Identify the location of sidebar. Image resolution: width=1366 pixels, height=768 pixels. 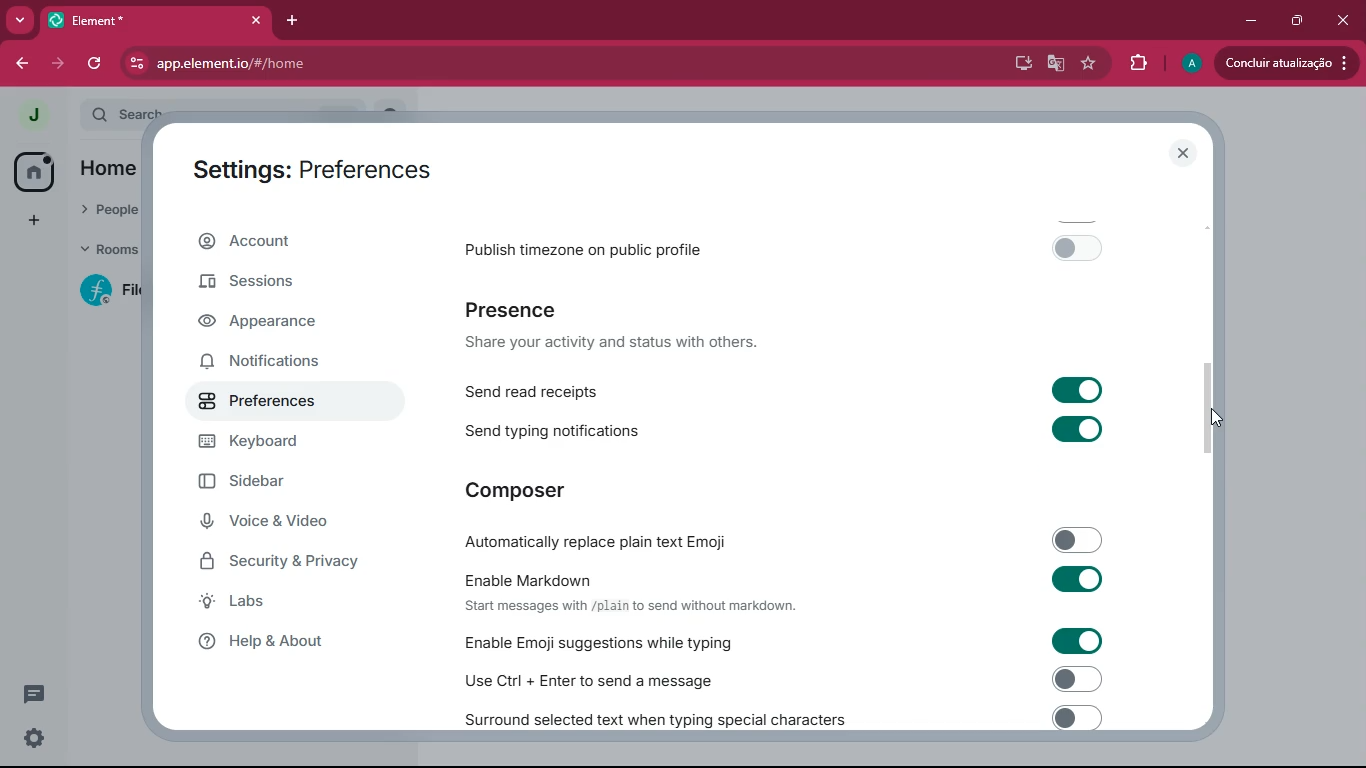
(271, 484).